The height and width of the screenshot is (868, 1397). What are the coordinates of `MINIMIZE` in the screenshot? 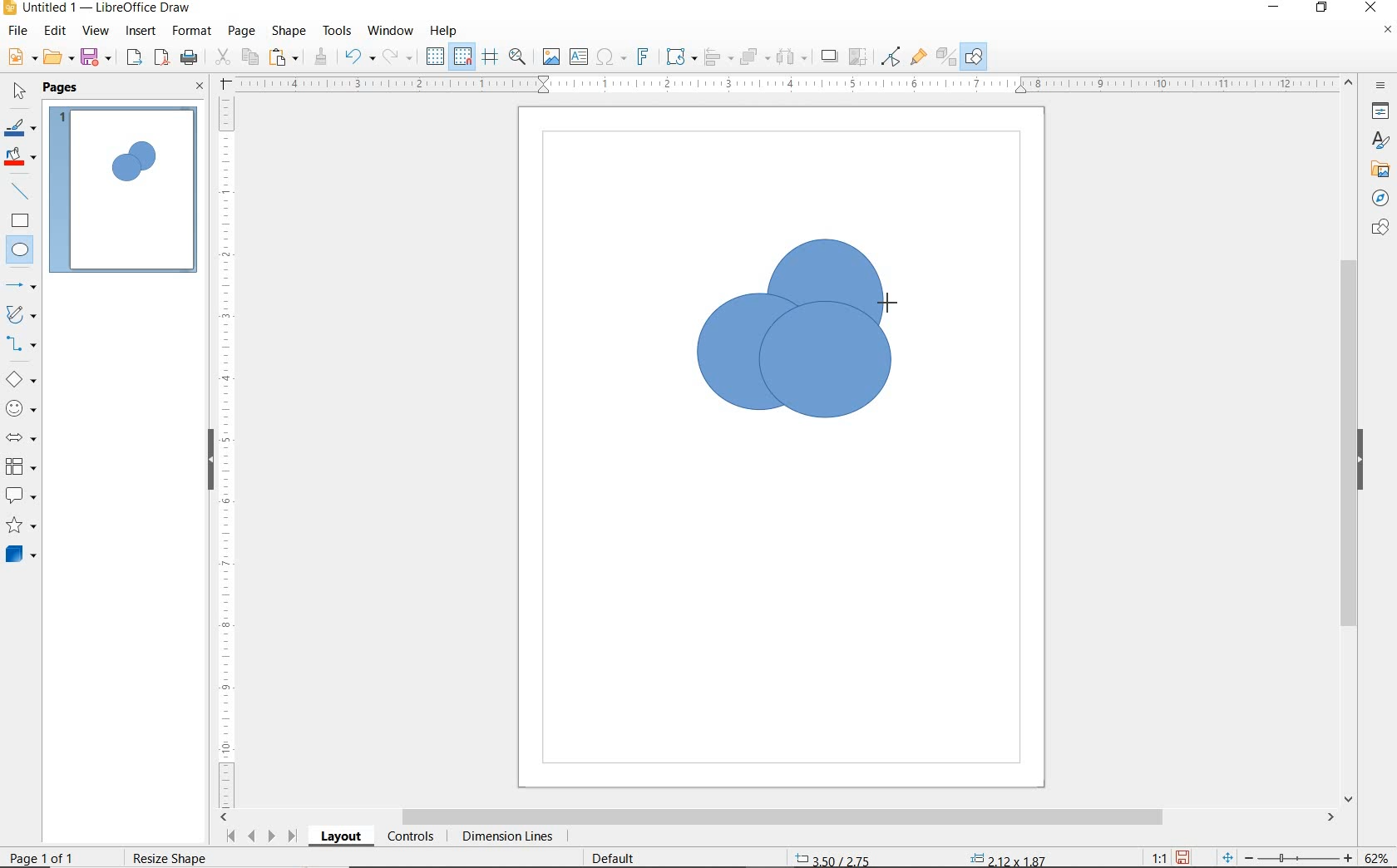 It's located at (1276, 8).